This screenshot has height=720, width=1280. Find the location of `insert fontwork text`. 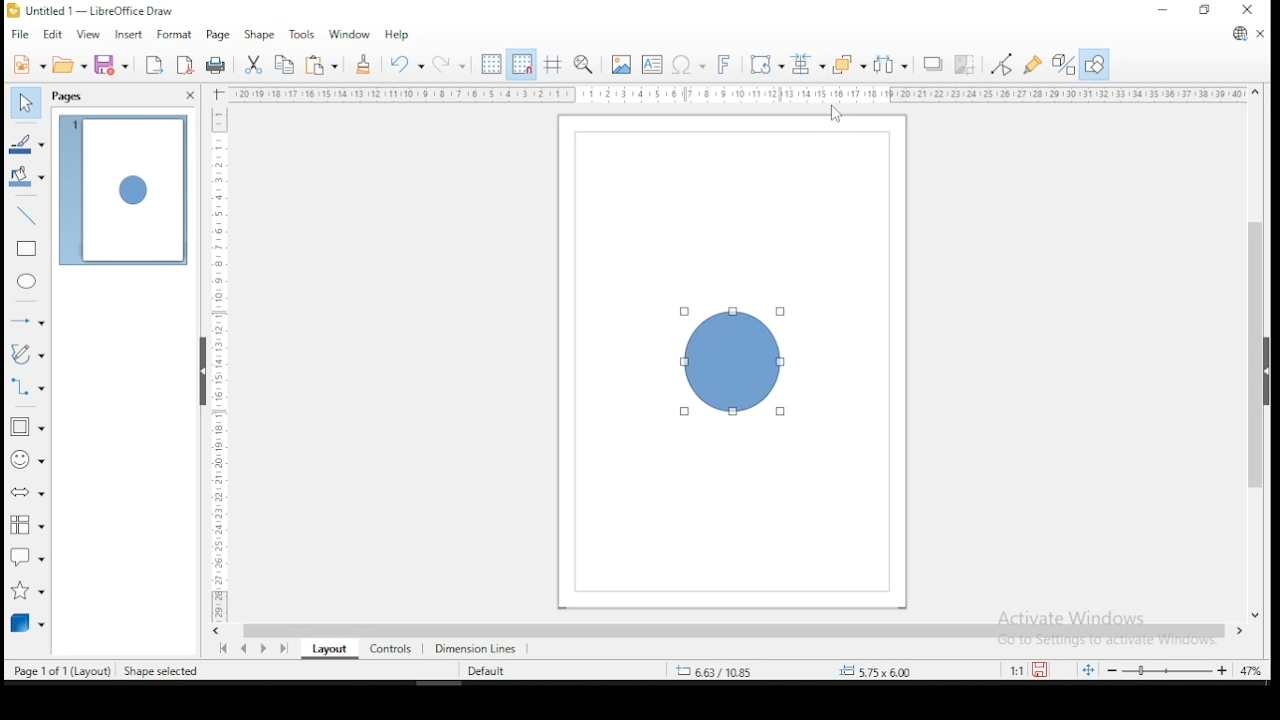

insert fontwork text is located at coordinates (724, 62).